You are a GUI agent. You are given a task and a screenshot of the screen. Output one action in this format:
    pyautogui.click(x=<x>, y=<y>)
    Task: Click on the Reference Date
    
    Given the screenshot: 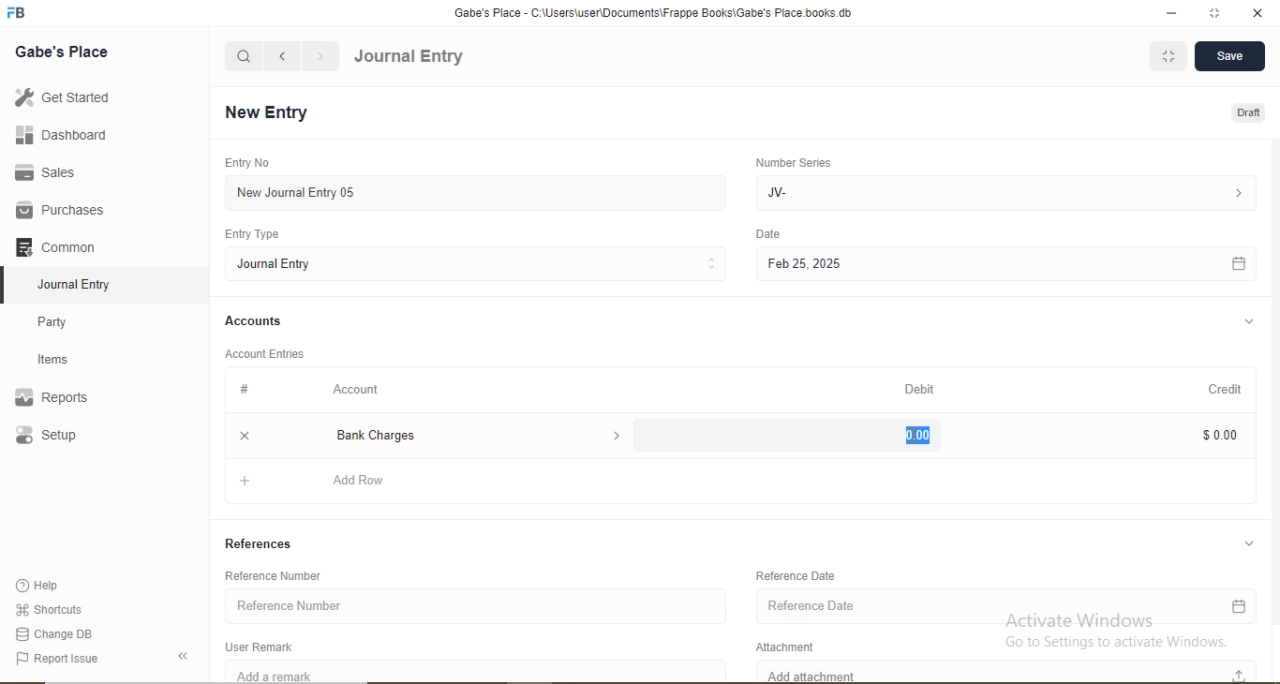 What is the action you would take?
    pyautogui.click(x=1006, y=608)
    